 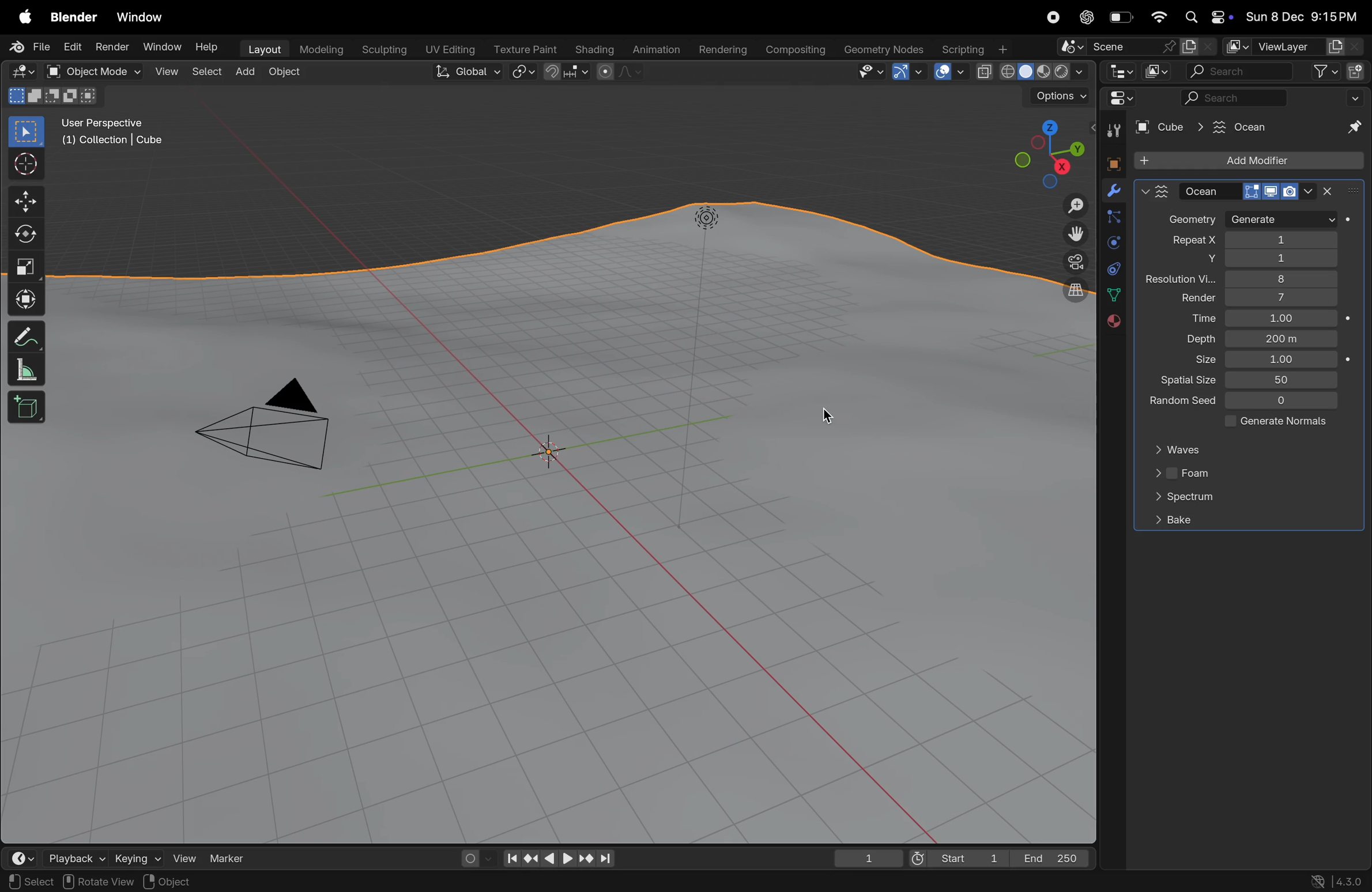 What do you see at coordinates (1192, 221) in the screenshot?
I see `geometry` at bounding box center [1192, 221].